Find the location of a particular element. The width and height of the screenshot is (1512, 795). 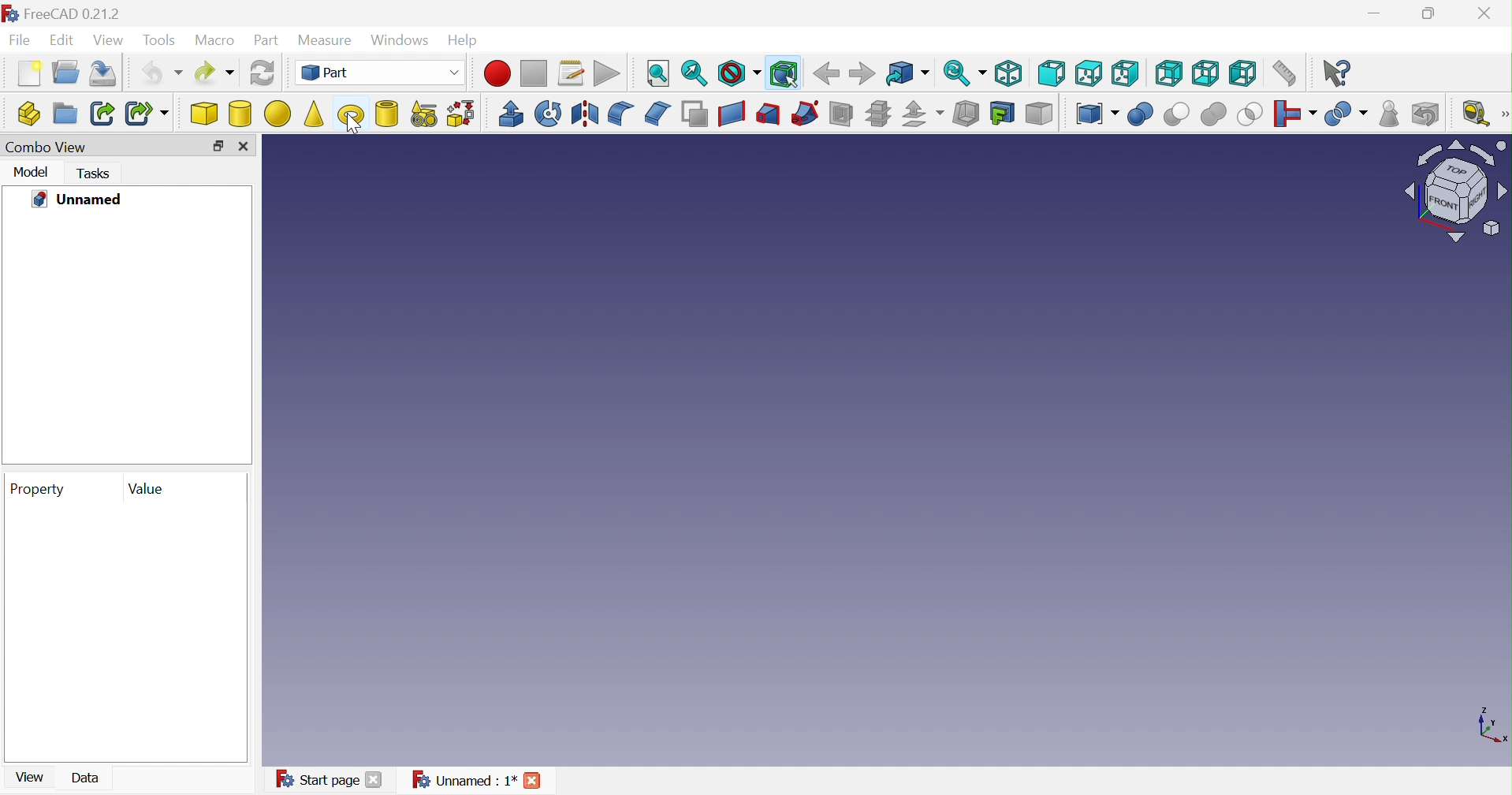

File is located at coordinates (20, 42).